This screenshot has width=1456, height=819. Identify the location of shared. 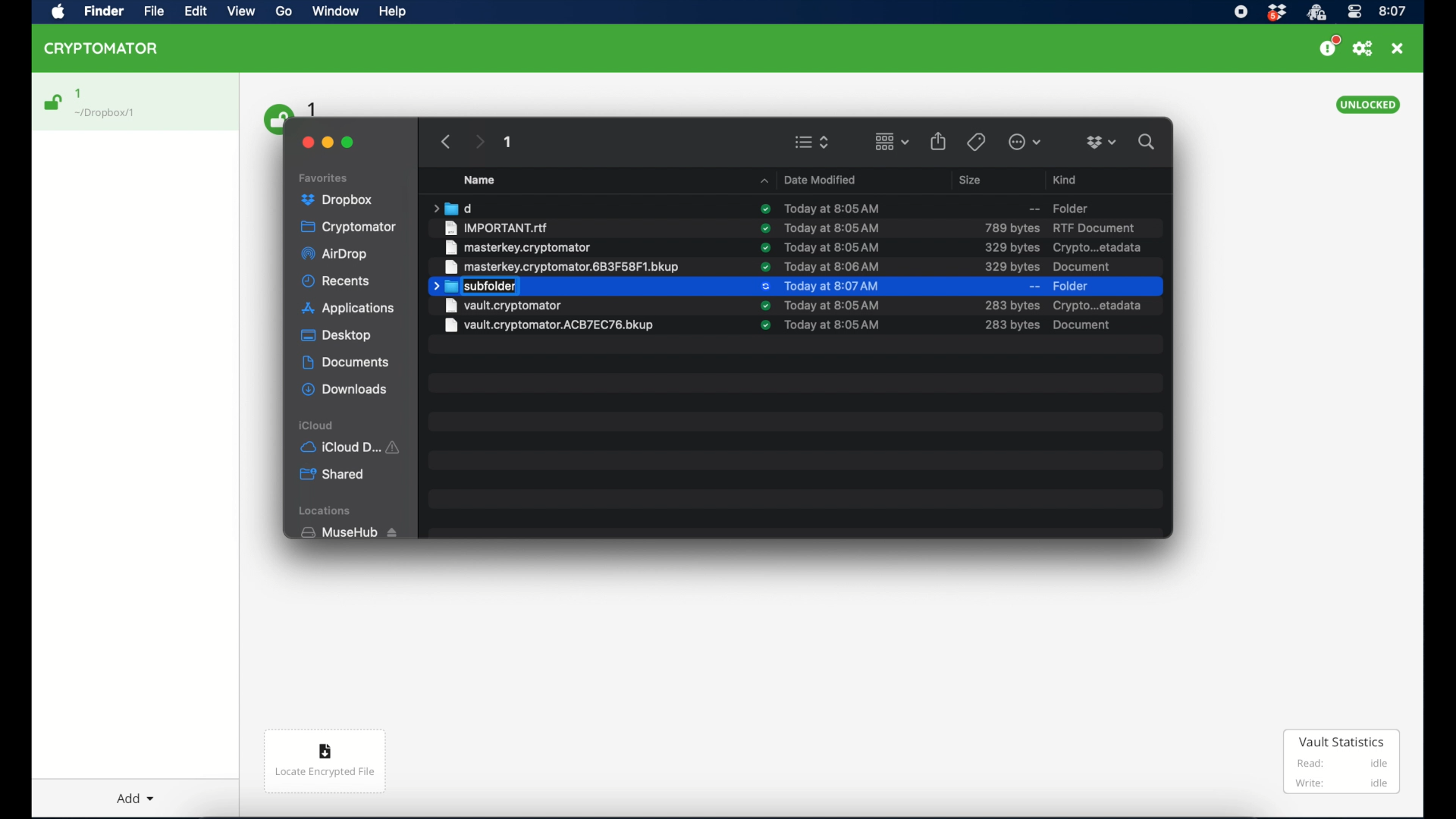
(334, 475).